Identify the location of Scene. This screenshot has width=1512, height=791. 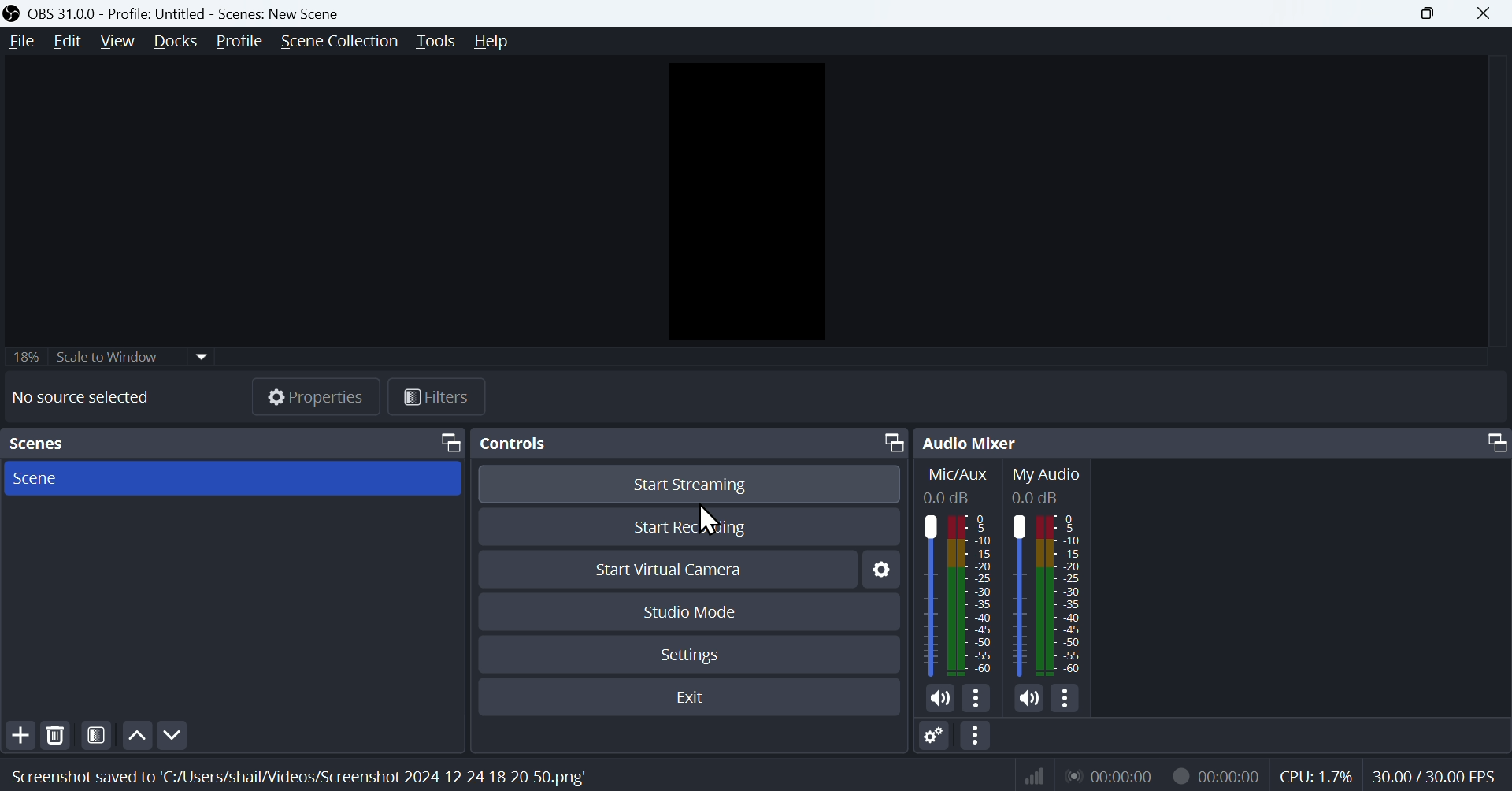
(231, 477).